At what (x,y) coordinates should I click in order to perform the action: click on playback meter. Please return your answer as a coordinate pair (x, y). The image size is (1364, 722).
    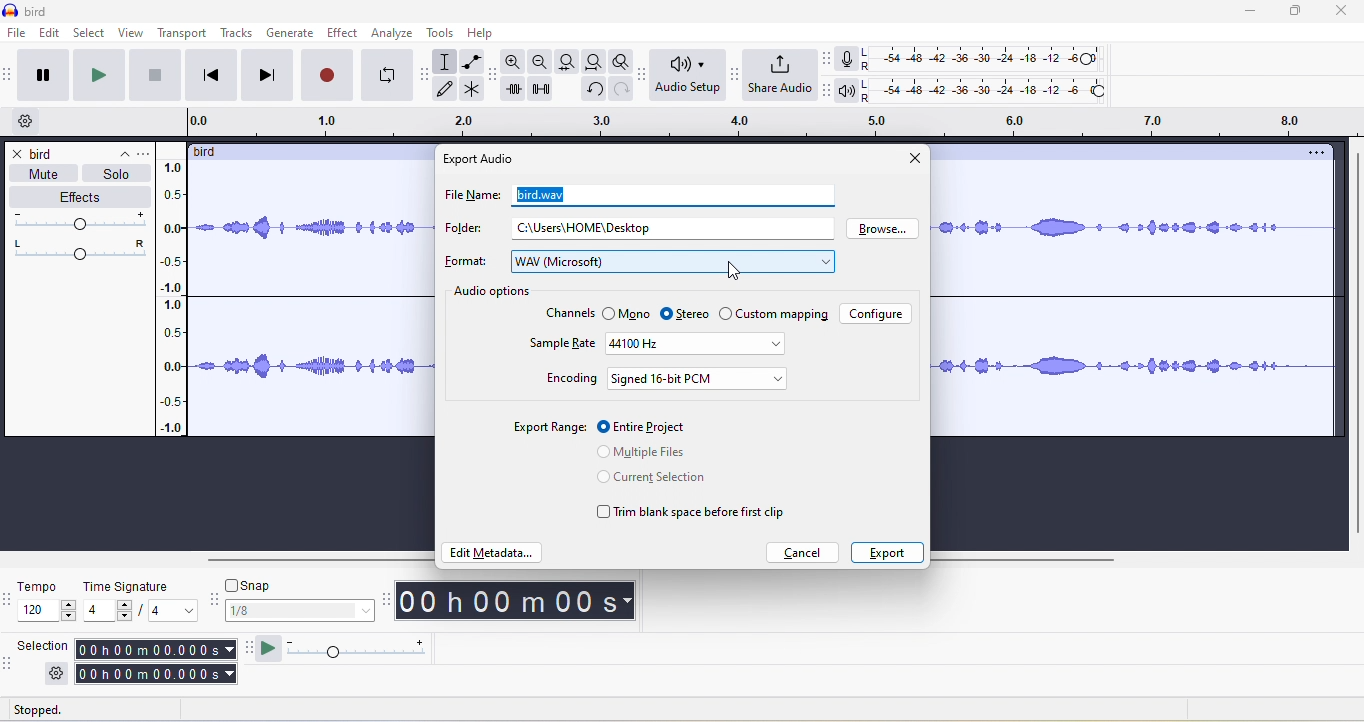
    Looking at the image, I should click on (847, 92).